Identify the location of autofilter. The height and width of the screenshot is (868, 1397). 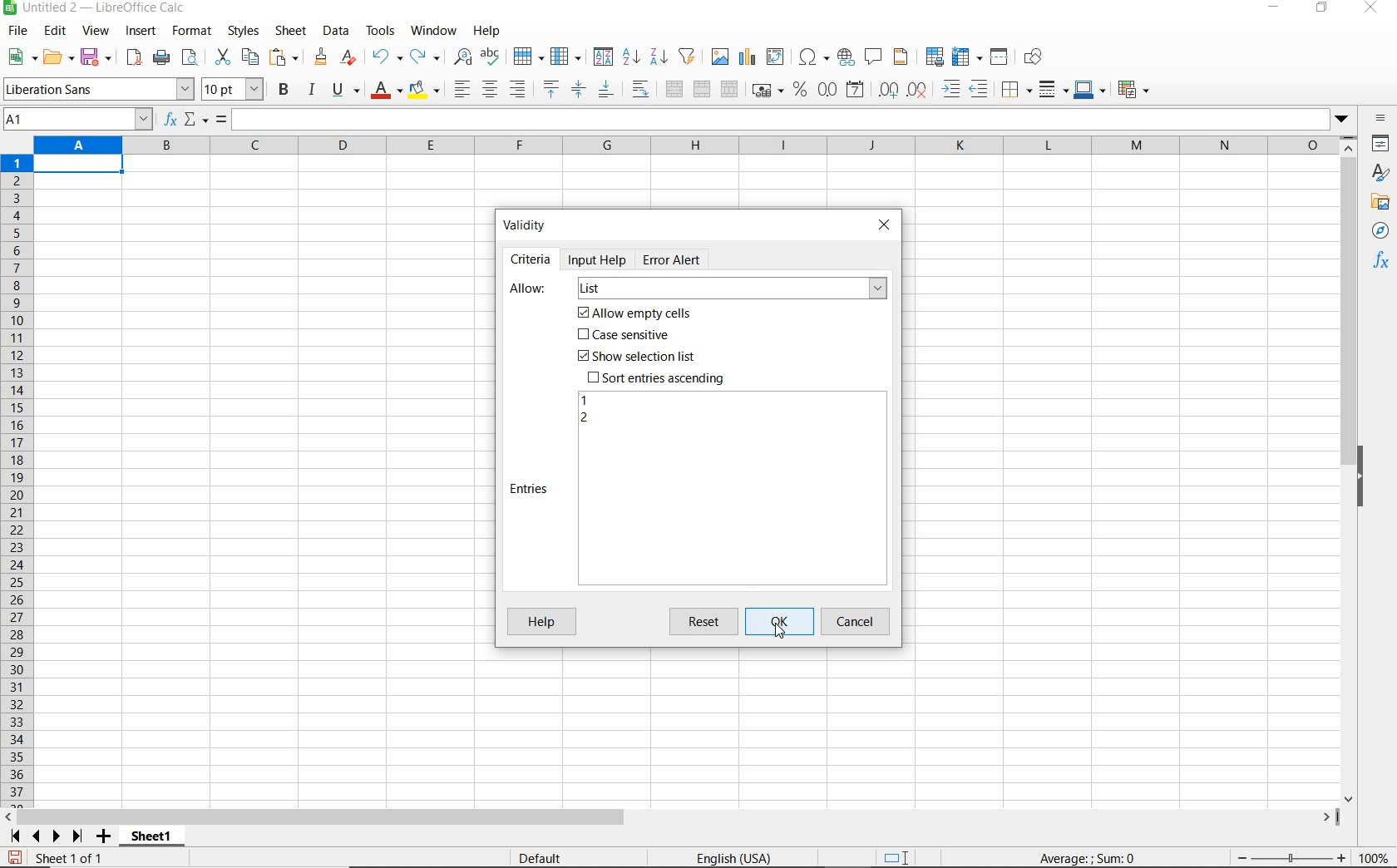
(686, 57).